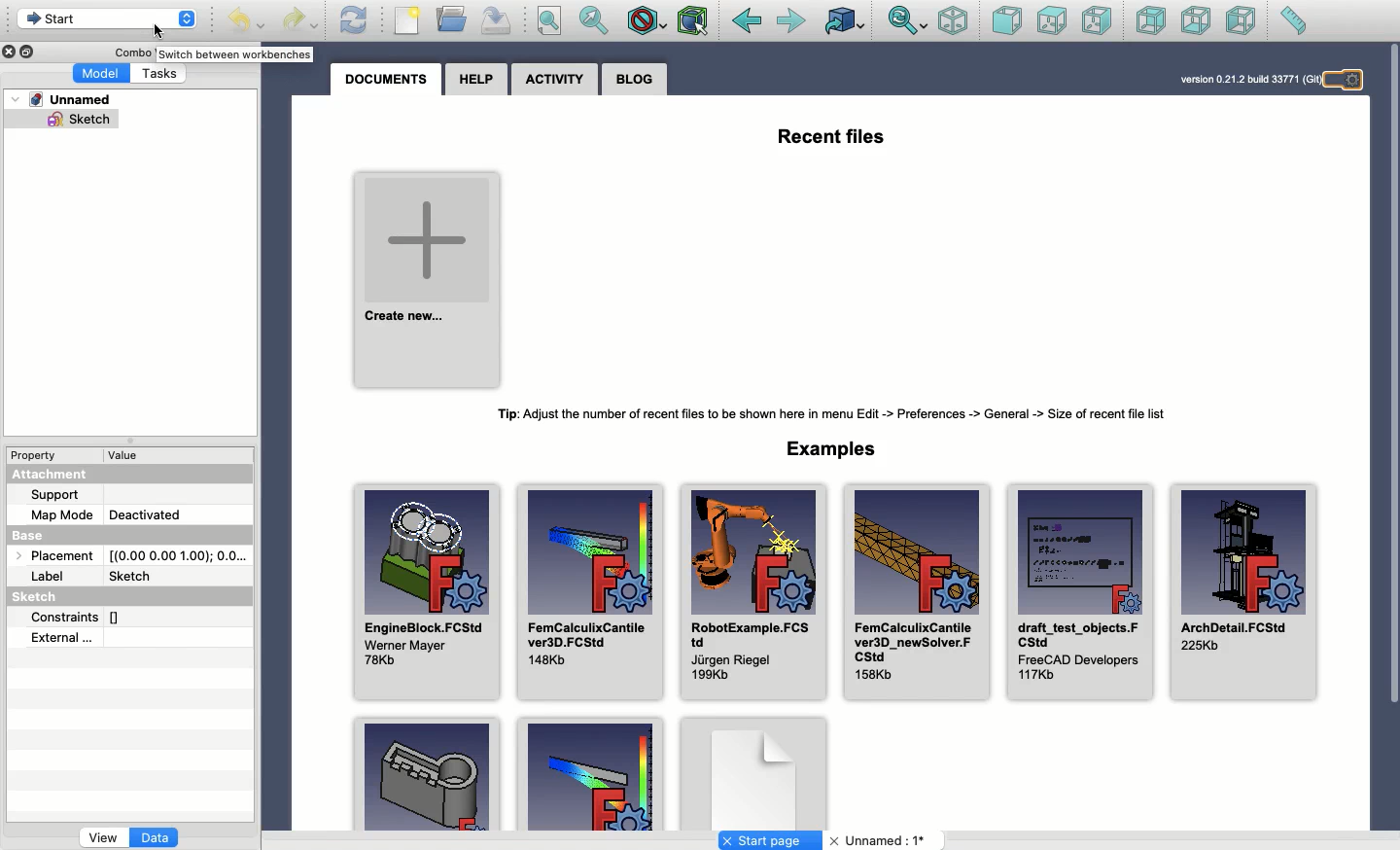 The width and height of the screenshot is (1400, 850). What do you see at coordinates (429, 282) in the screenshot?
I see `Create new` at bounding box center [429, 282].